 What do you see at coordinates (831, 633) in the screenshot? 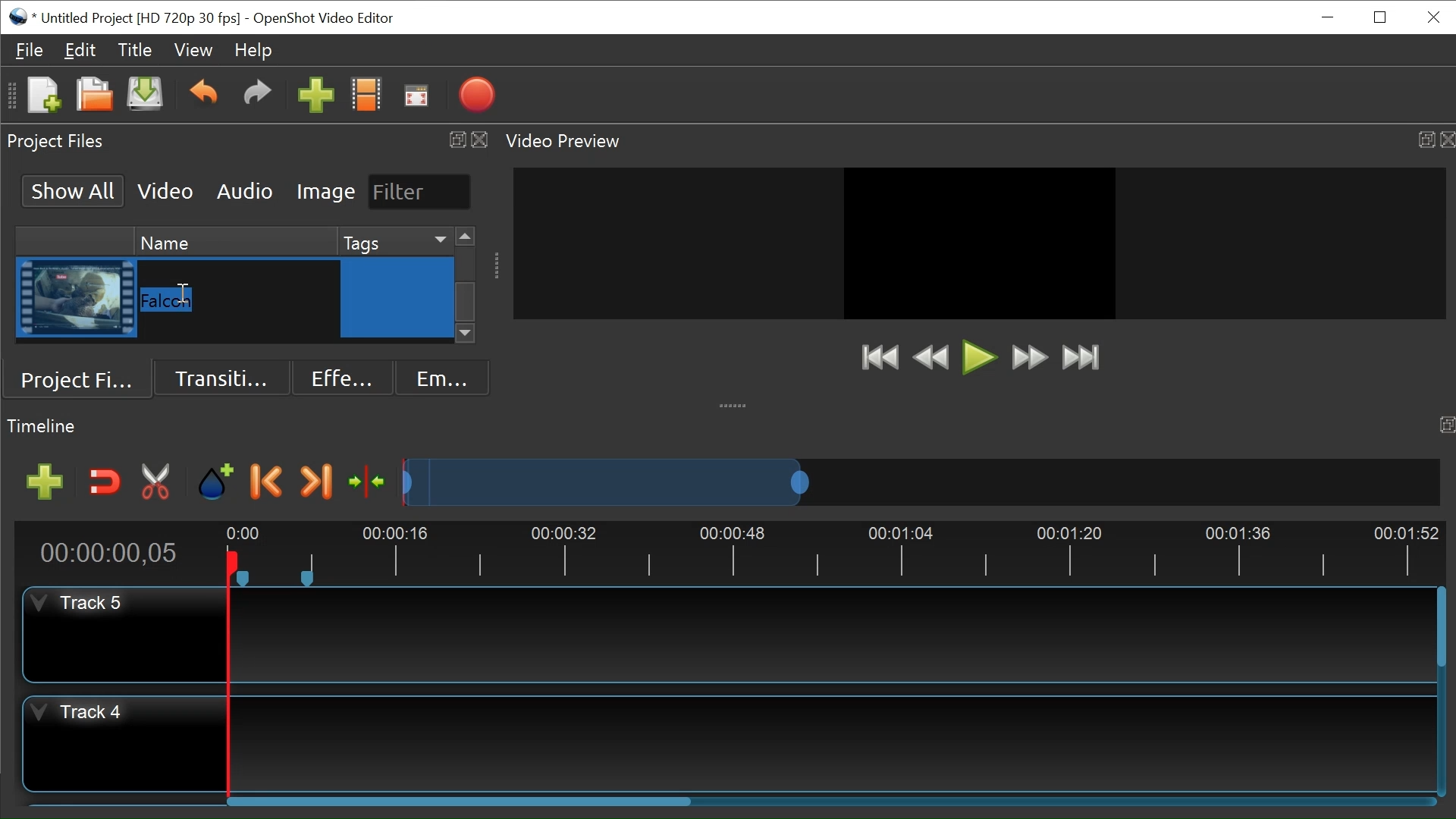
I see `Track Panel` at bounding box center [831, 633].